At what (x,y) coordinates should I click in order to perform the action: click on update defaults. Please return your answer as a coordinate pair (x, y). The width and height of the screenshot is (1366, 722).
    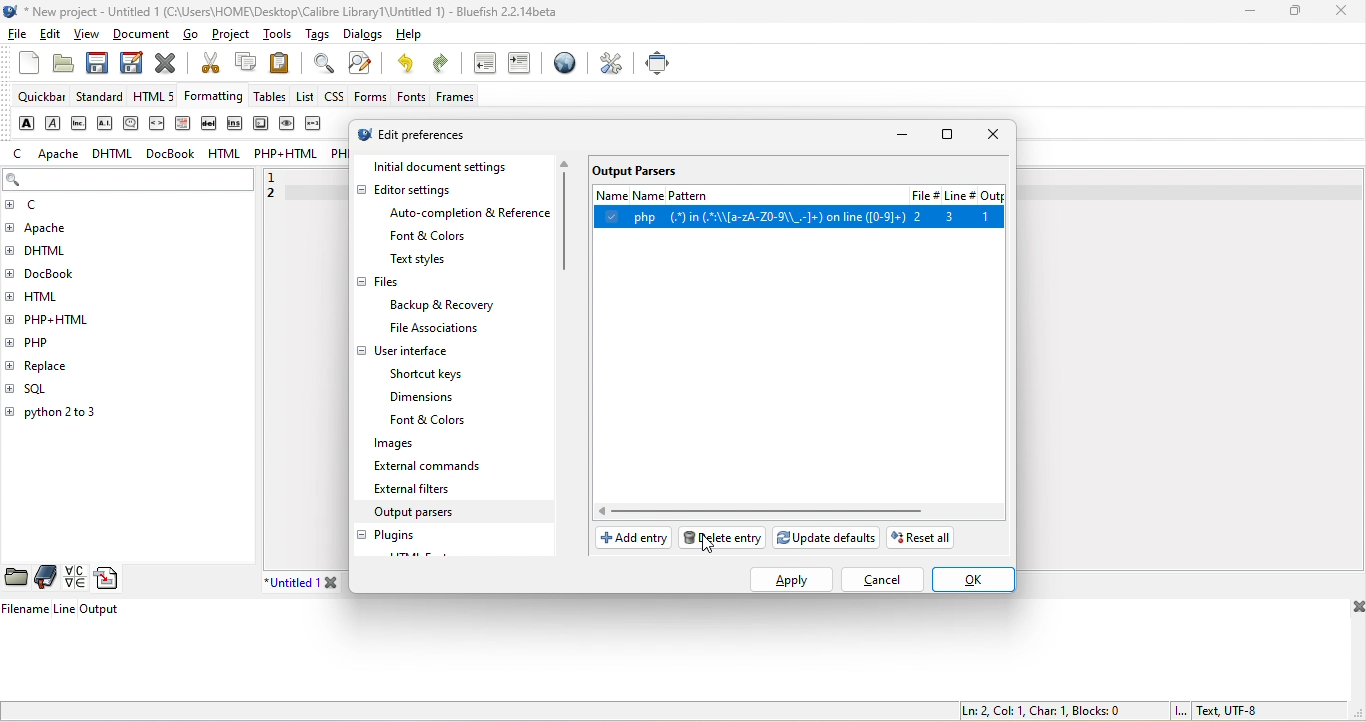
    Looking at the image, I should click on (829, 536).